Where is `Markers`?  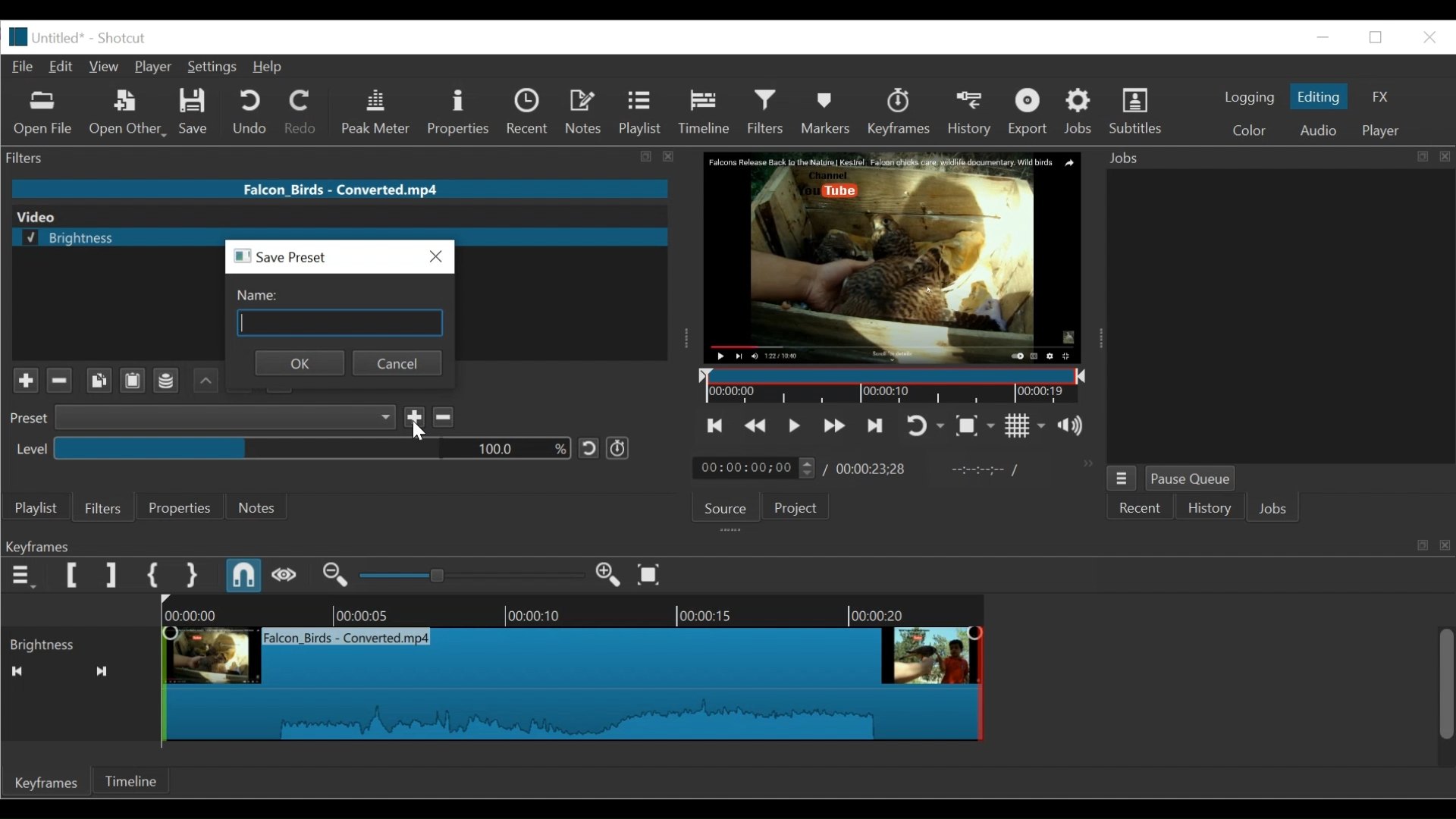
Markers is located at coordinates (827, 111).